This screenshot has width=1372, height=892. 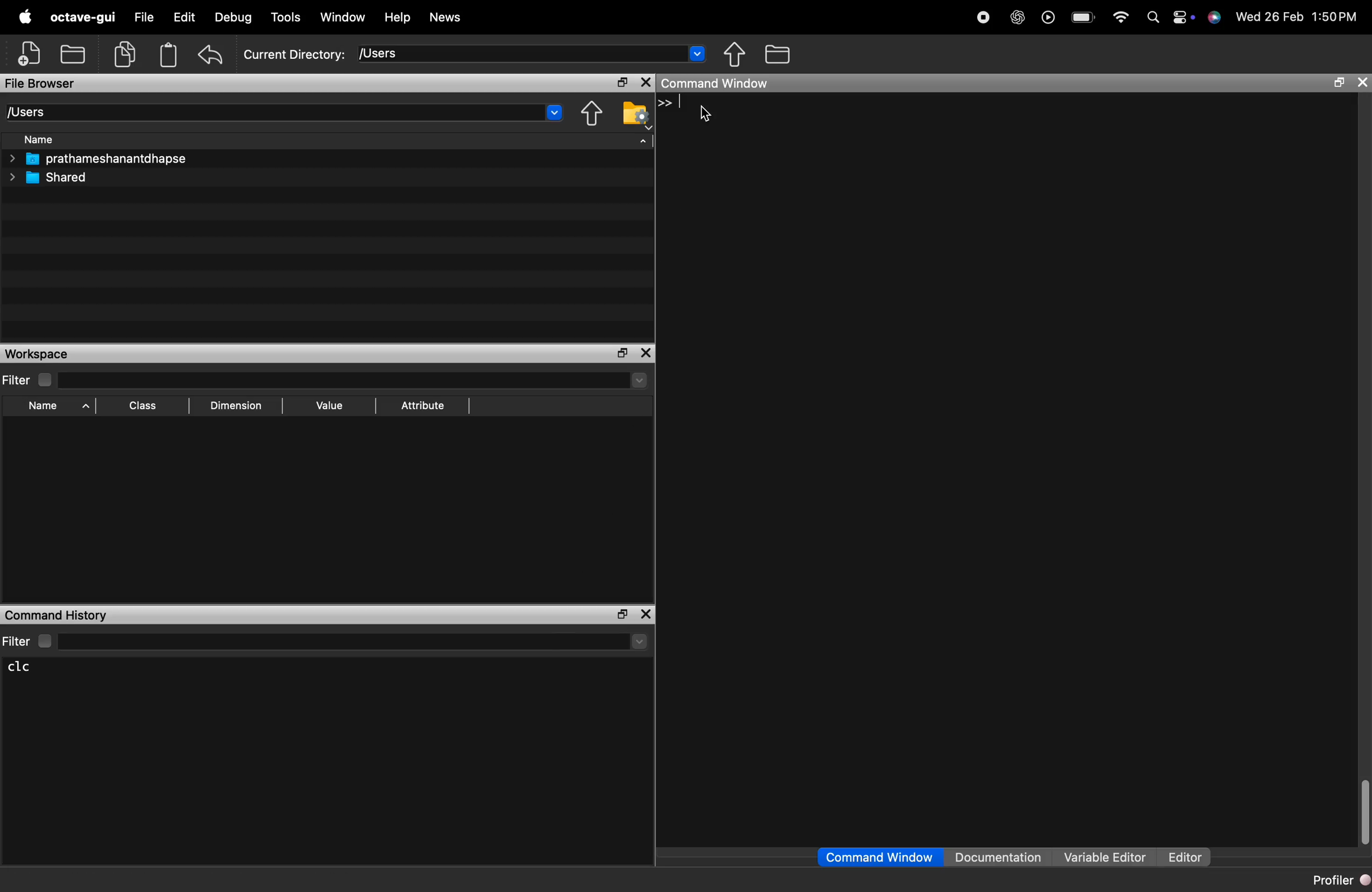 I want to click on Browse directories, so click(x=780, y=54).